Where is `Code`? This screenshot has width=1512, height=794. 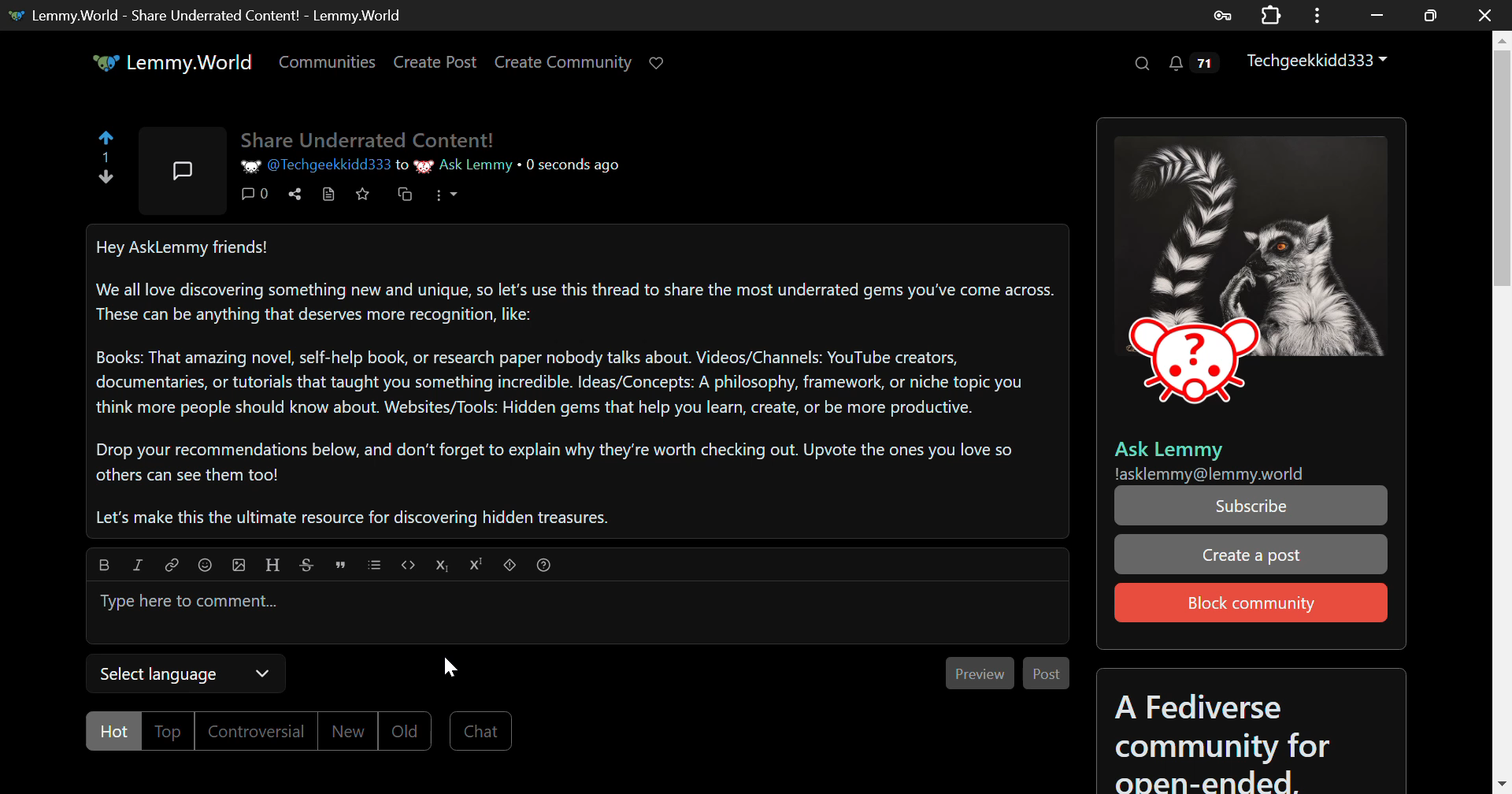 Code is located at coordinates (407, 566).